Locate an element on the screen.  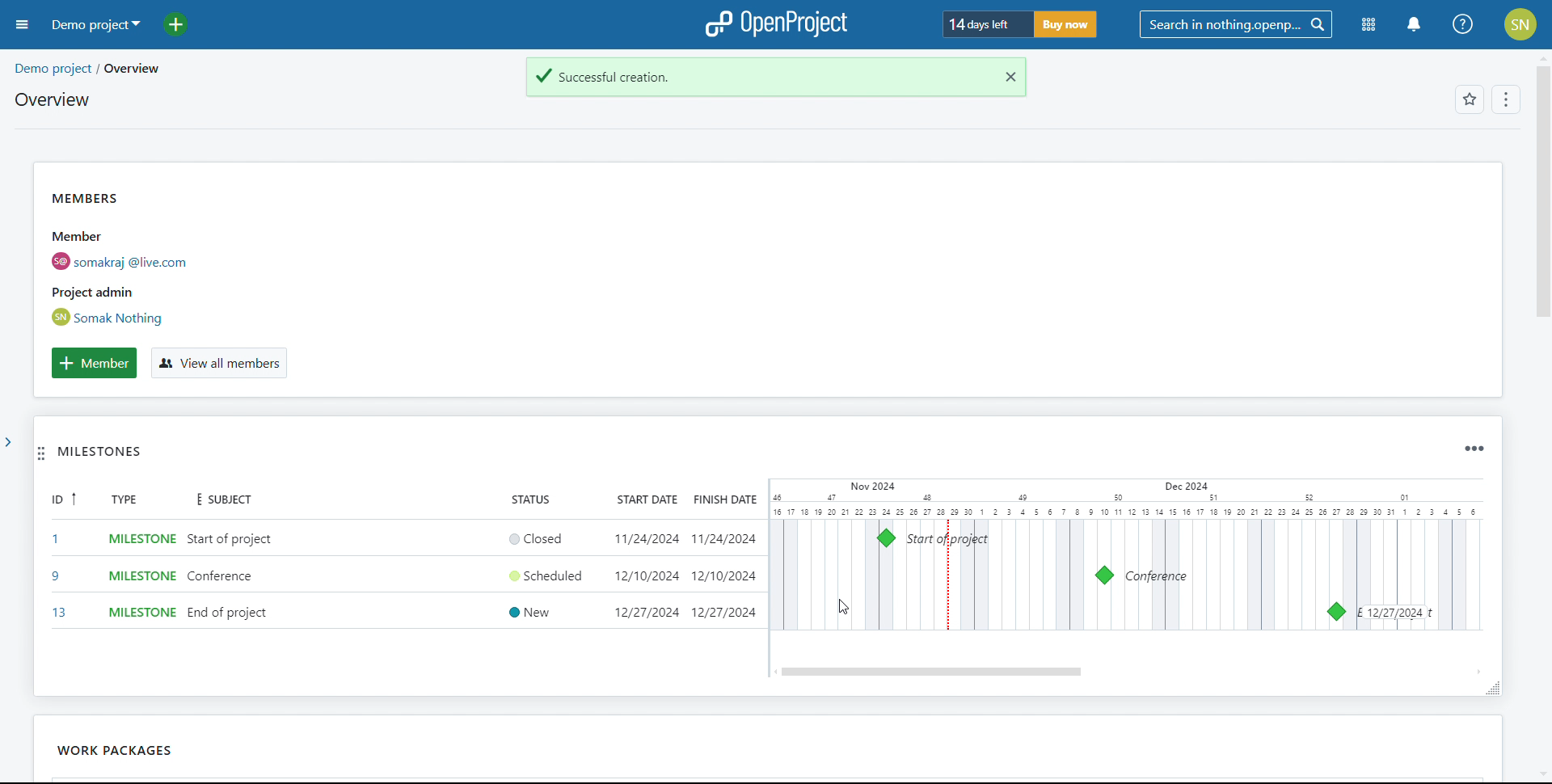
MILESTONES is located at coordinates (120, 456).